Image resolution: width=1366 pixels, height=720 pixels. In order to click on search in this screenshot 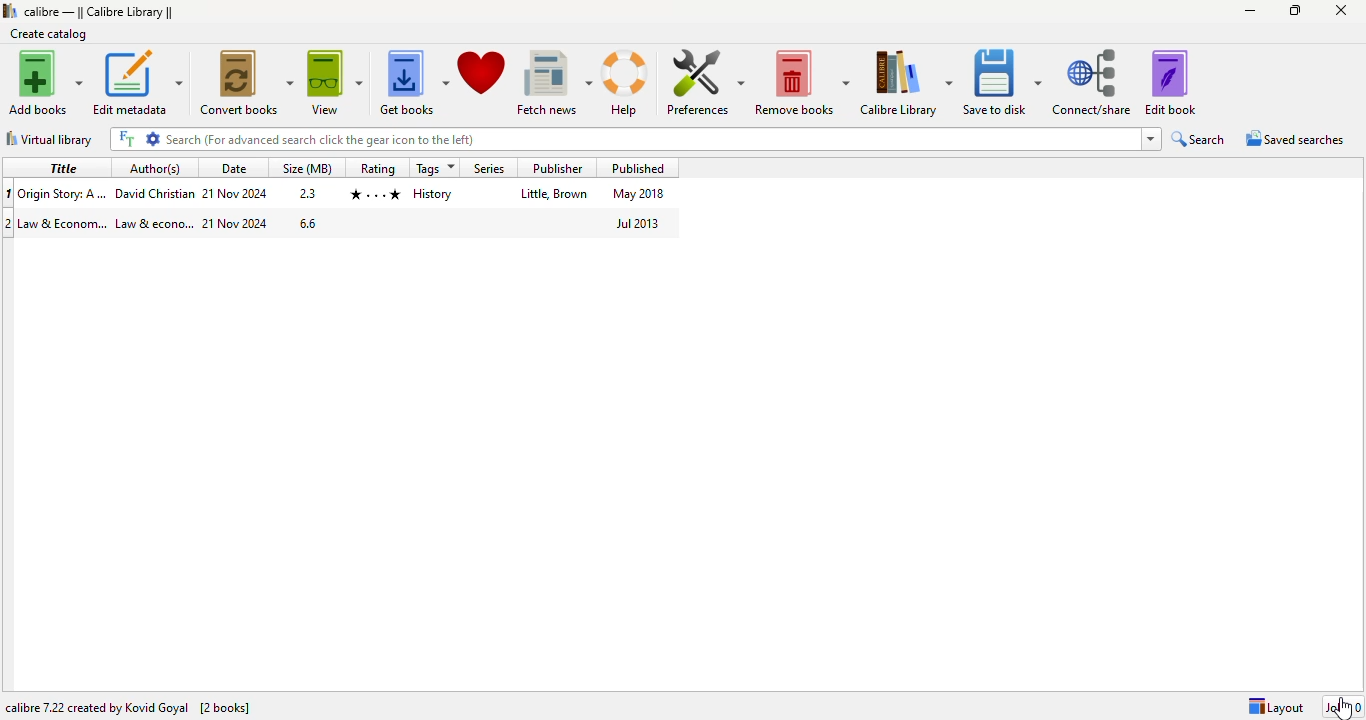, I will do `click(1198, 139)`.